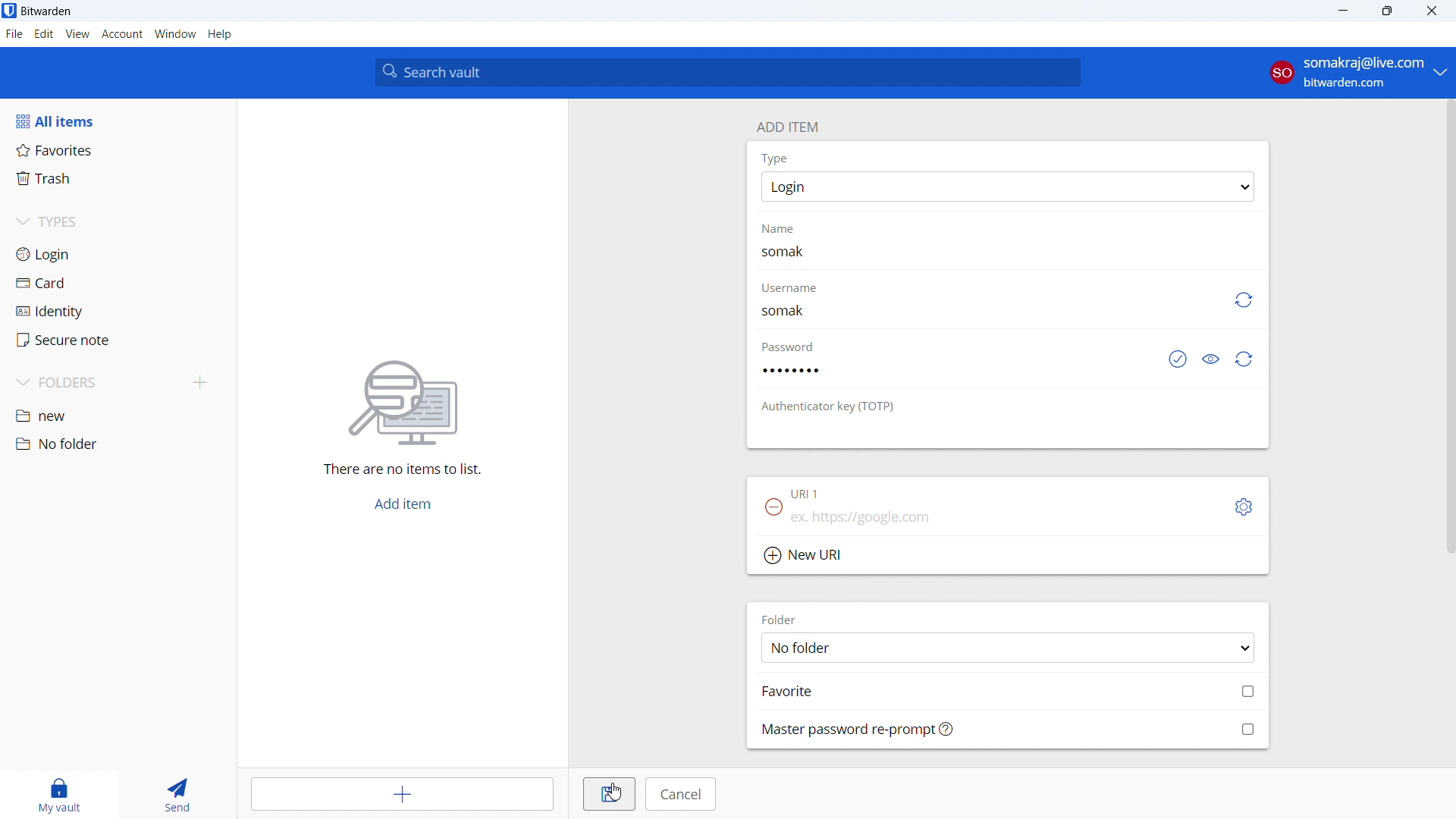 The image size is (1456, 819). I want to click on trash, so click(117, 179).